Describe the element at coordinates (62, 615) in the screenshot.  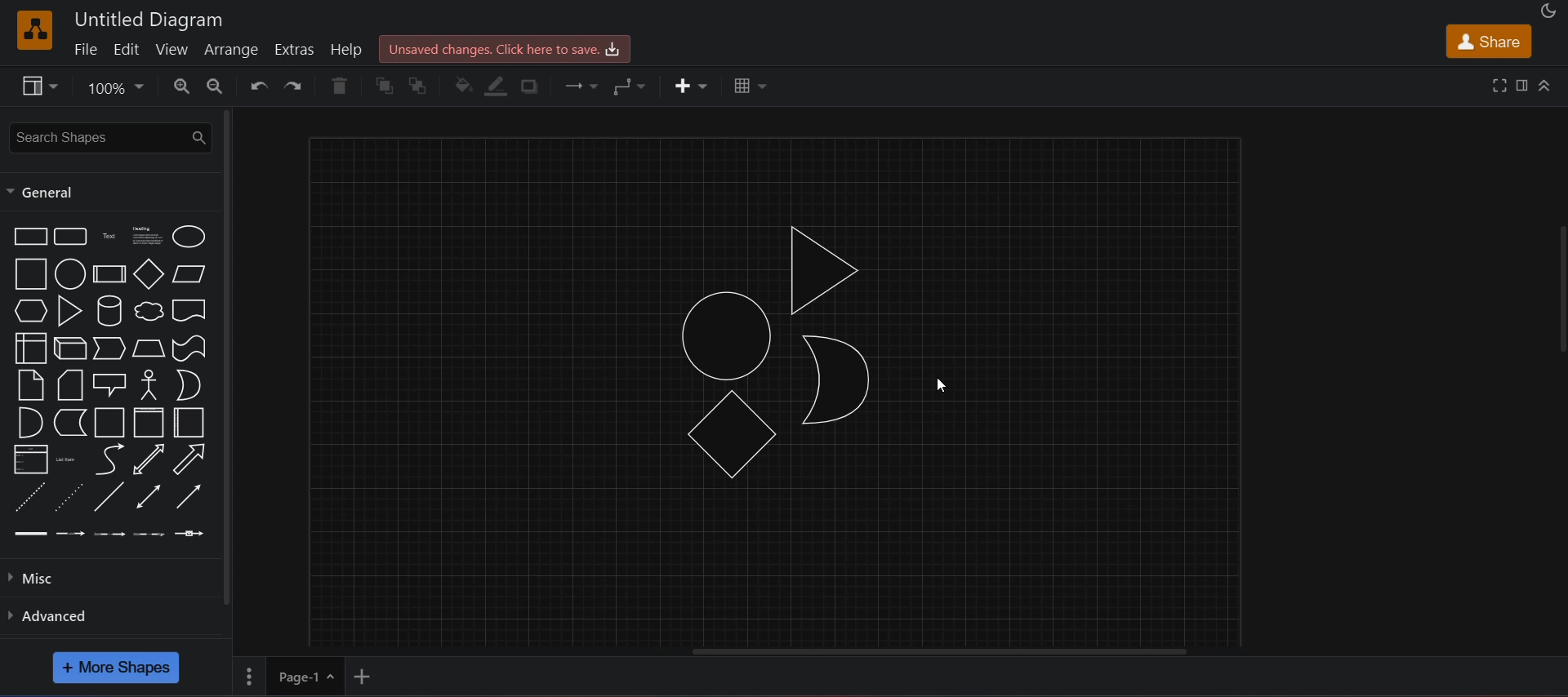
I see `advanced` at that location.